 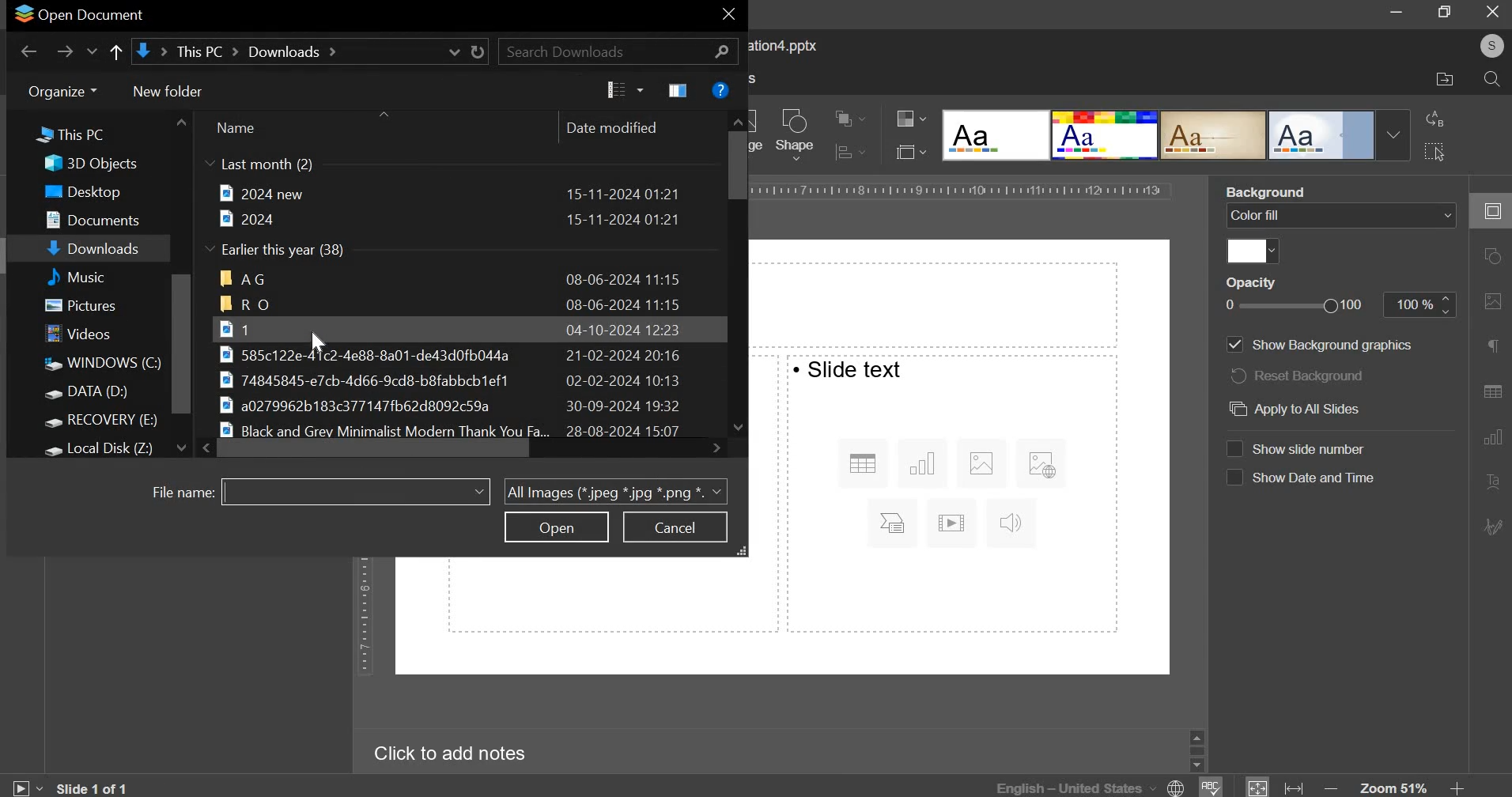 What do you see at coordinates (1253, 251) in the screenshot?
I see `fill color` at bounding box center [1253, 251].